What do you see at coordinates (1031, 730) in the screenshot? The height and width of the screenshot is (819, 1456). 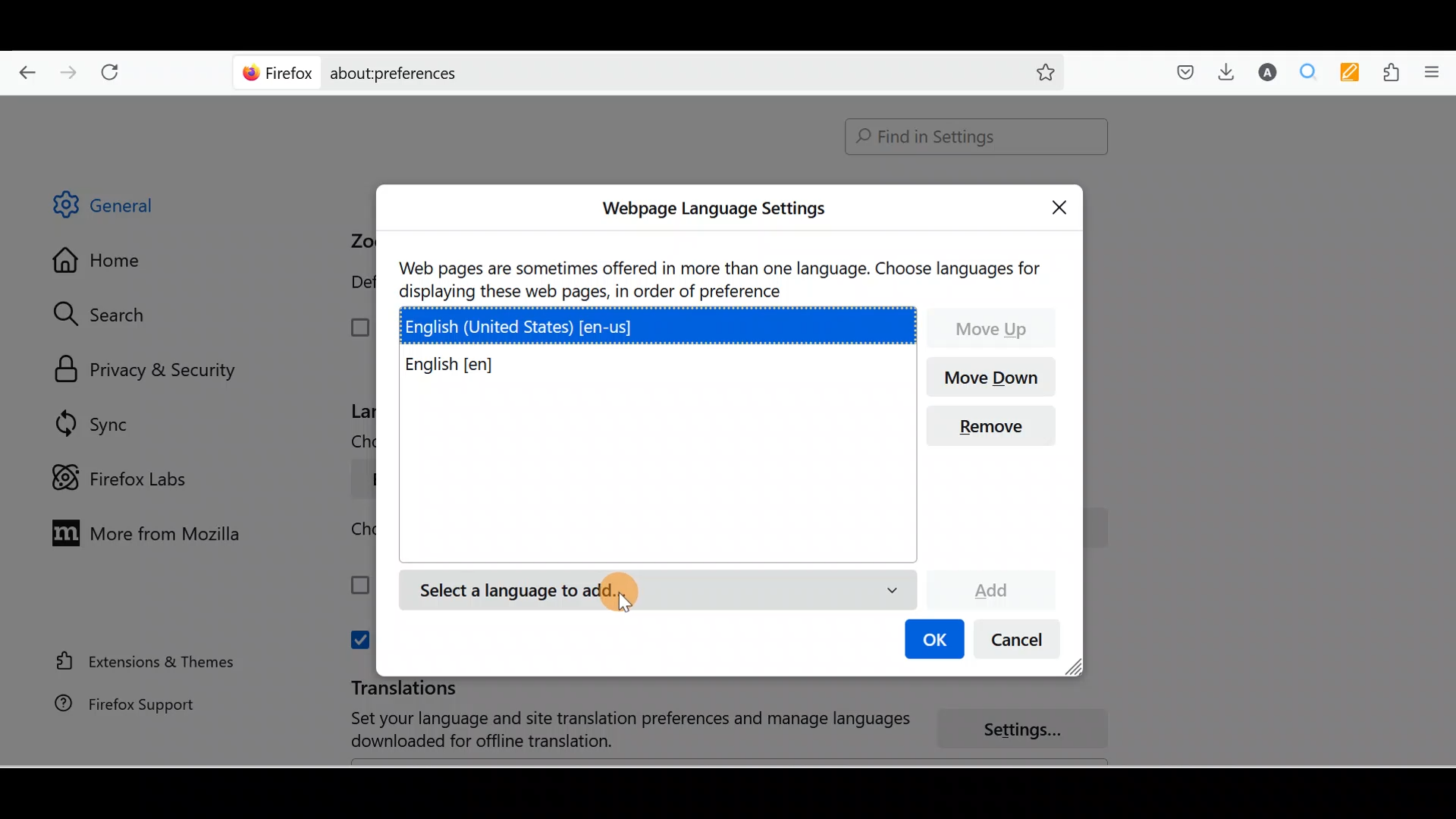 I see `Settings` at bounding box center [1031, 730].